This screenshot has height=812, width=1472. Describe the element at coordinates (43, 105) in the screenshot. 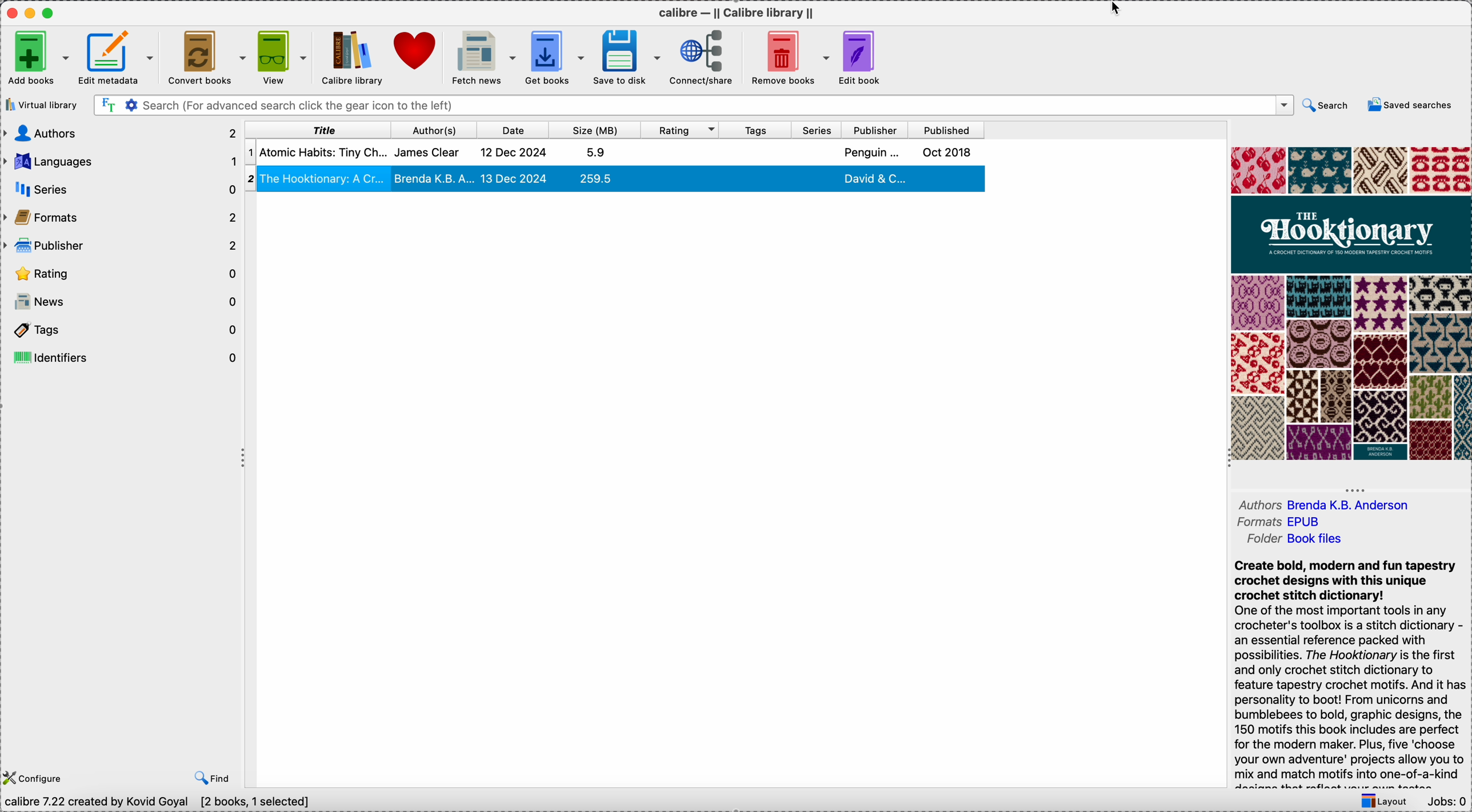

I see `virtual library` at that location.